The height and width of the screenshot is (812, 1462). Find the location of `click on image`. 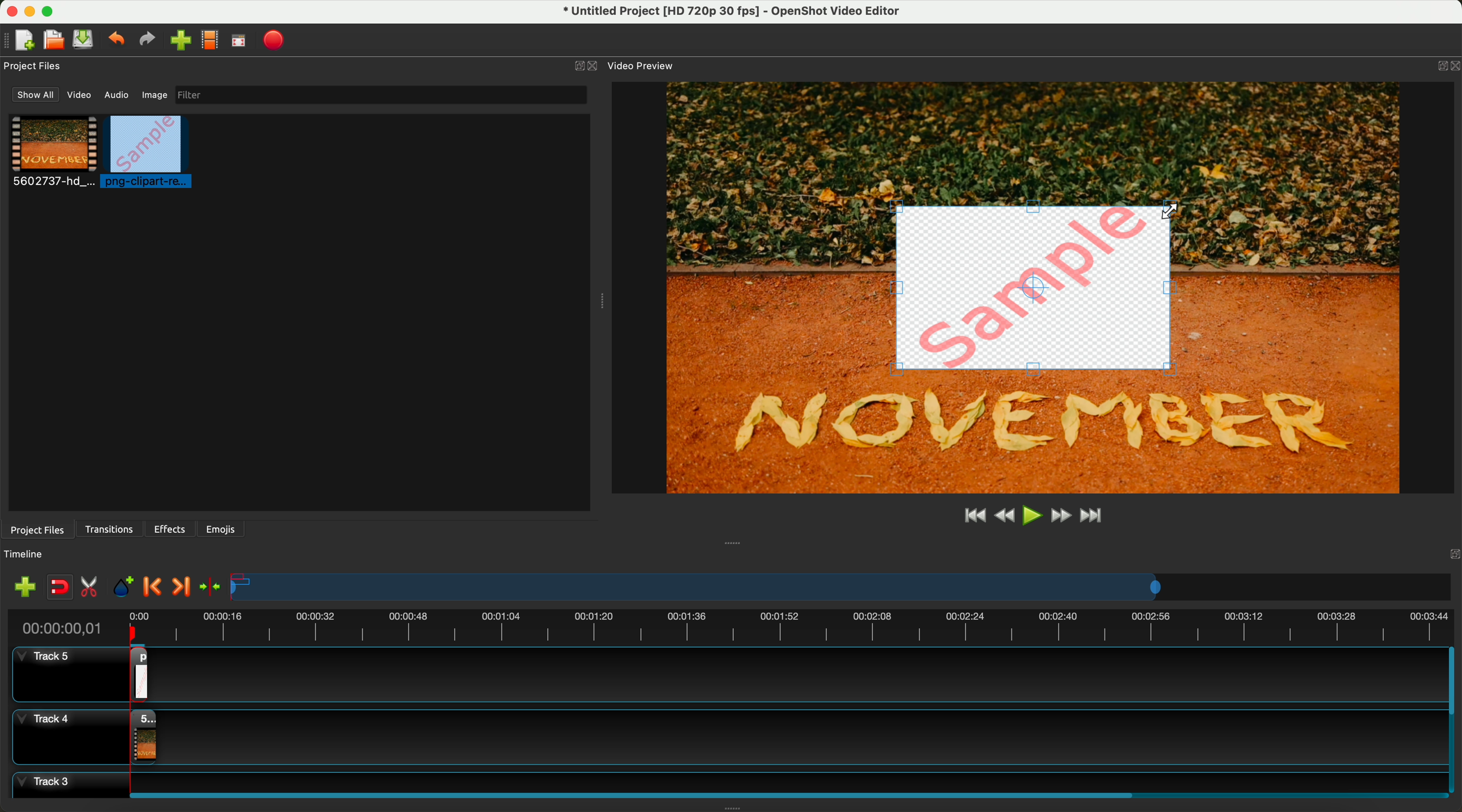

click on image is located at coordinates (150, 153).